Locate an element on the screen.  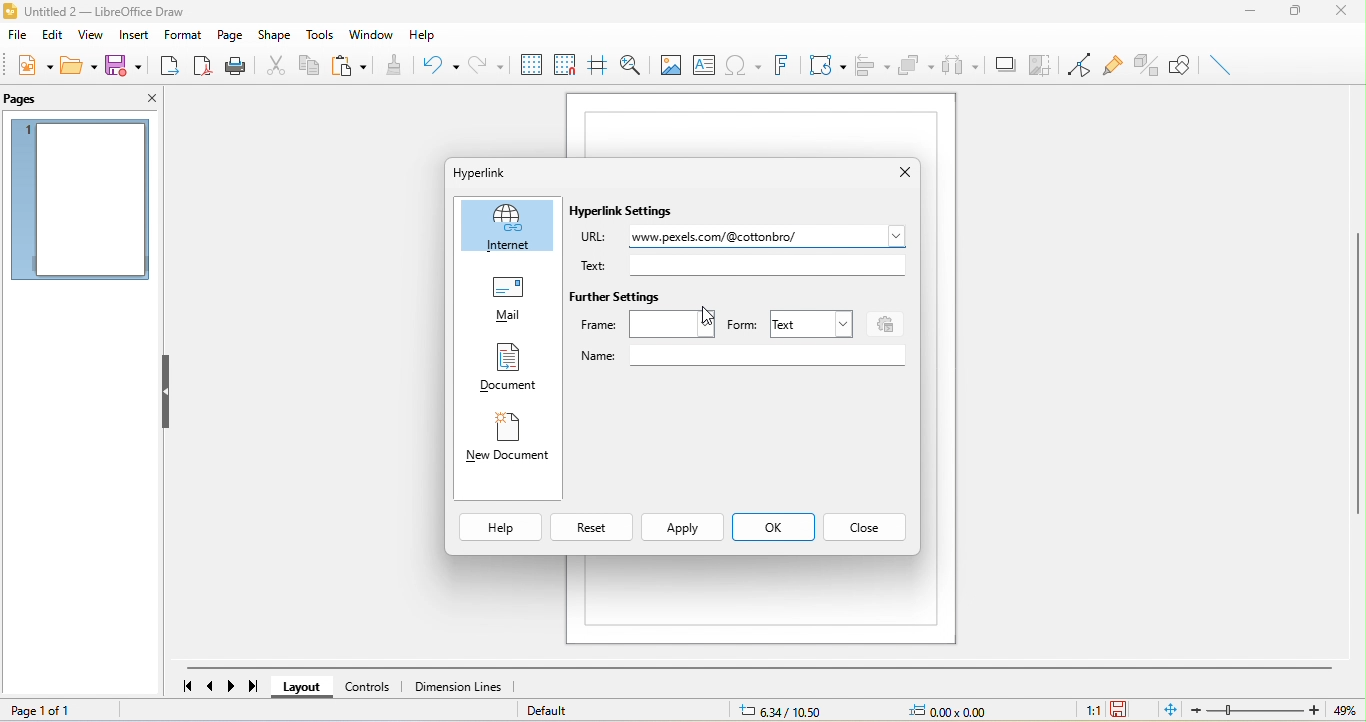
close is located at coordinates (1346, 11).